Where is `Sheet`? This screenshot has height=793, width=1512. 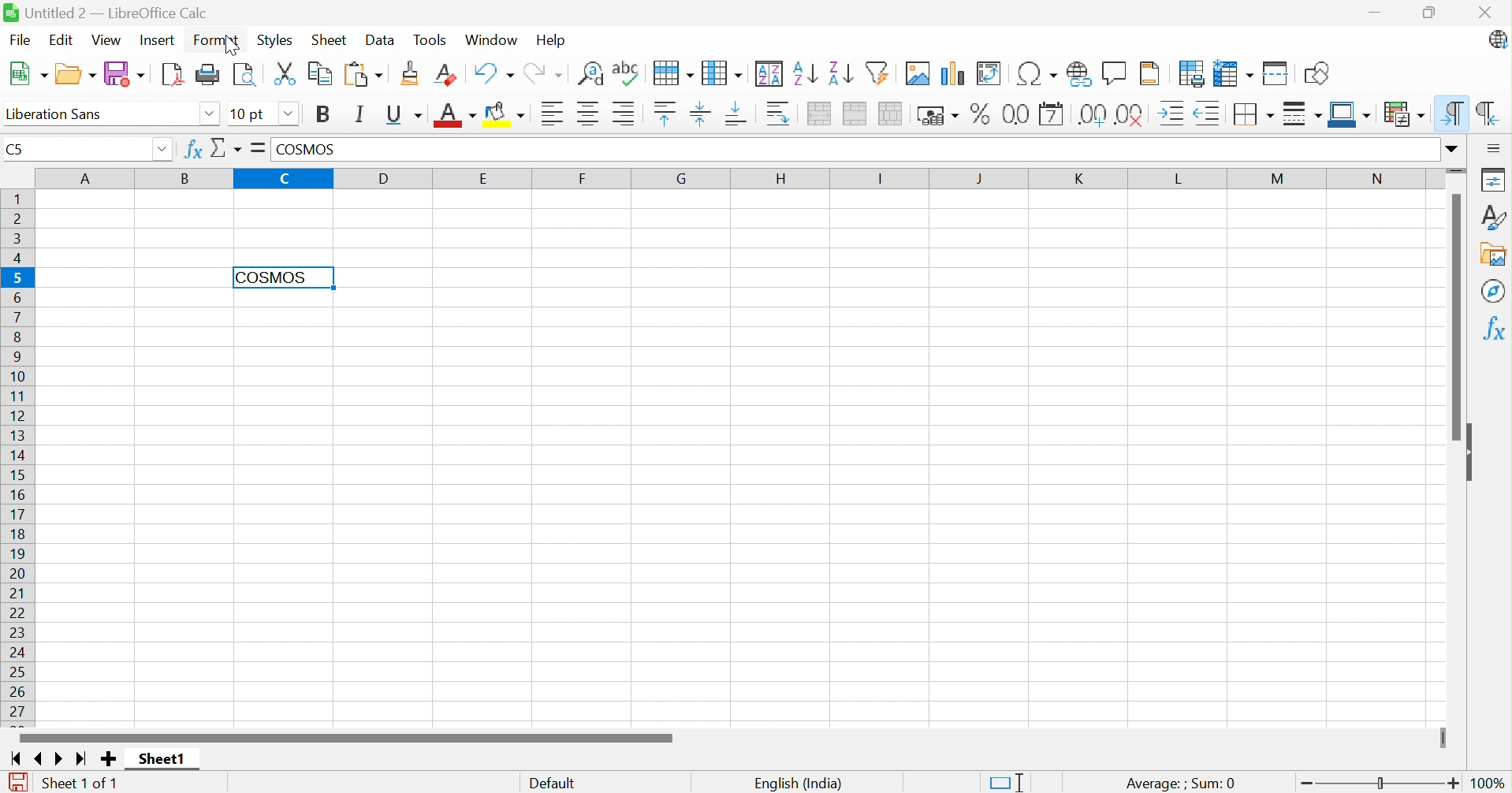
Sheet is located at coordinates (332, 39).